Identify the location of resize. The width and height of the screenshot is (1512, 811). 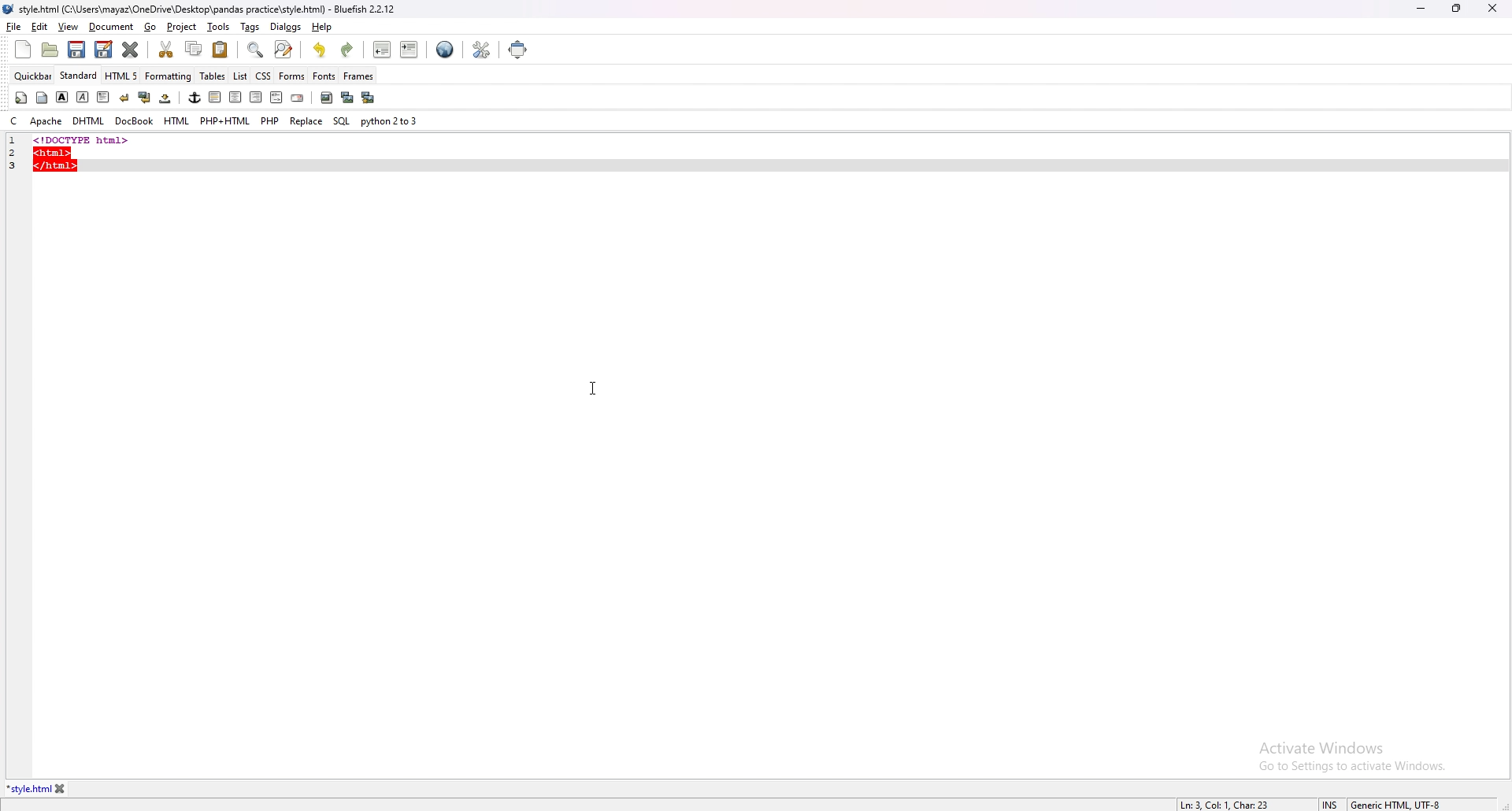
(1456, 8).